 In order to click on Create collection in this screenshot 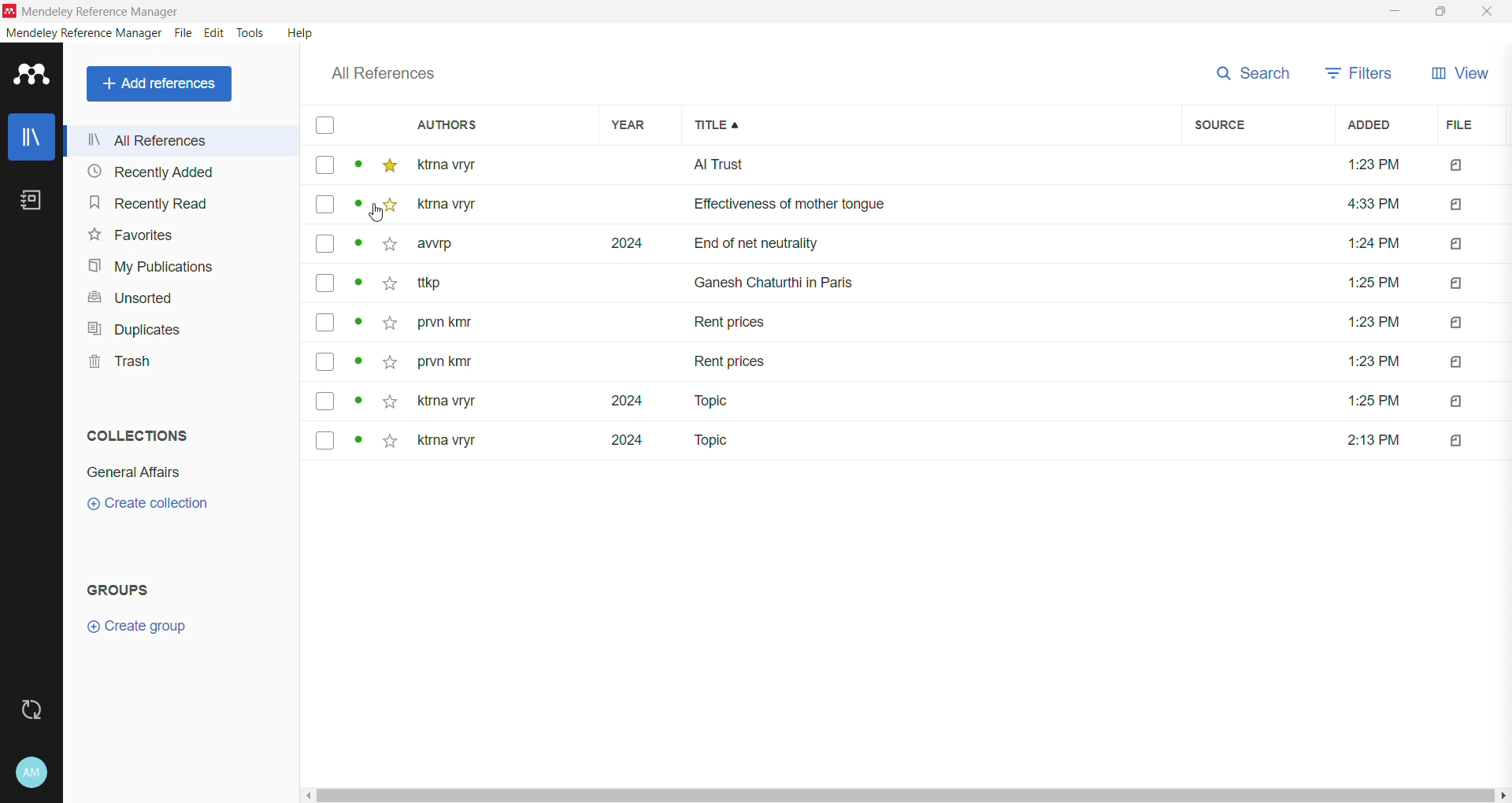, I will do `click(146, 505)`.